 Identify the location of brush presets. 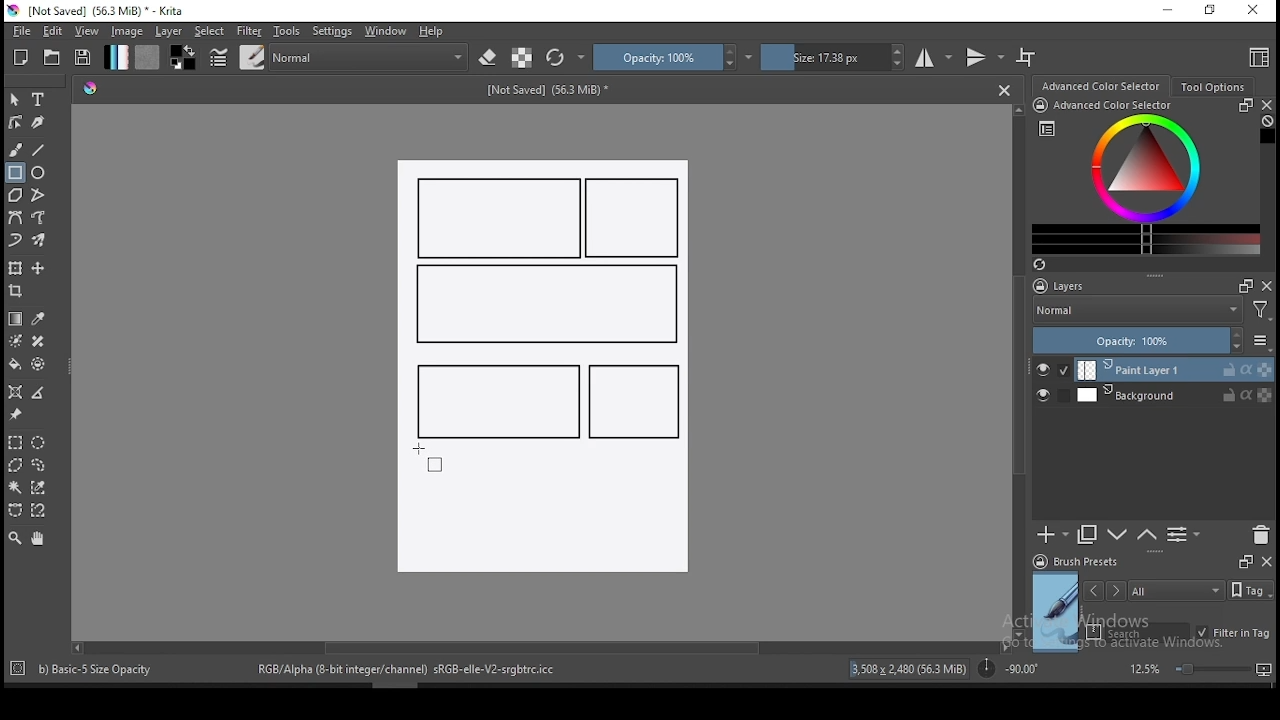
(1082, 562).